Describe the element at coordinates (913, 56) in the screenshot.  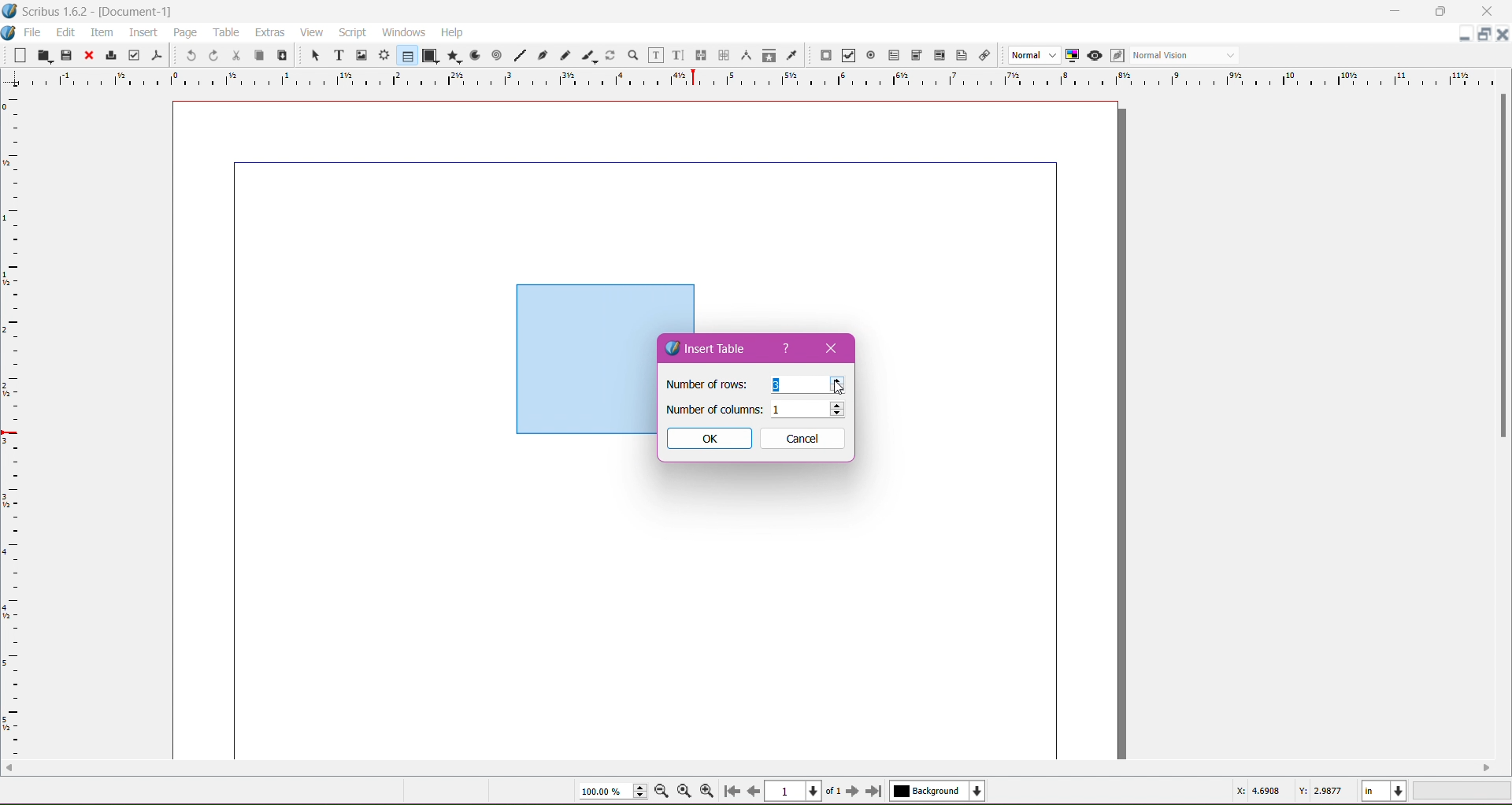
I see `PDF combo box` at that location.